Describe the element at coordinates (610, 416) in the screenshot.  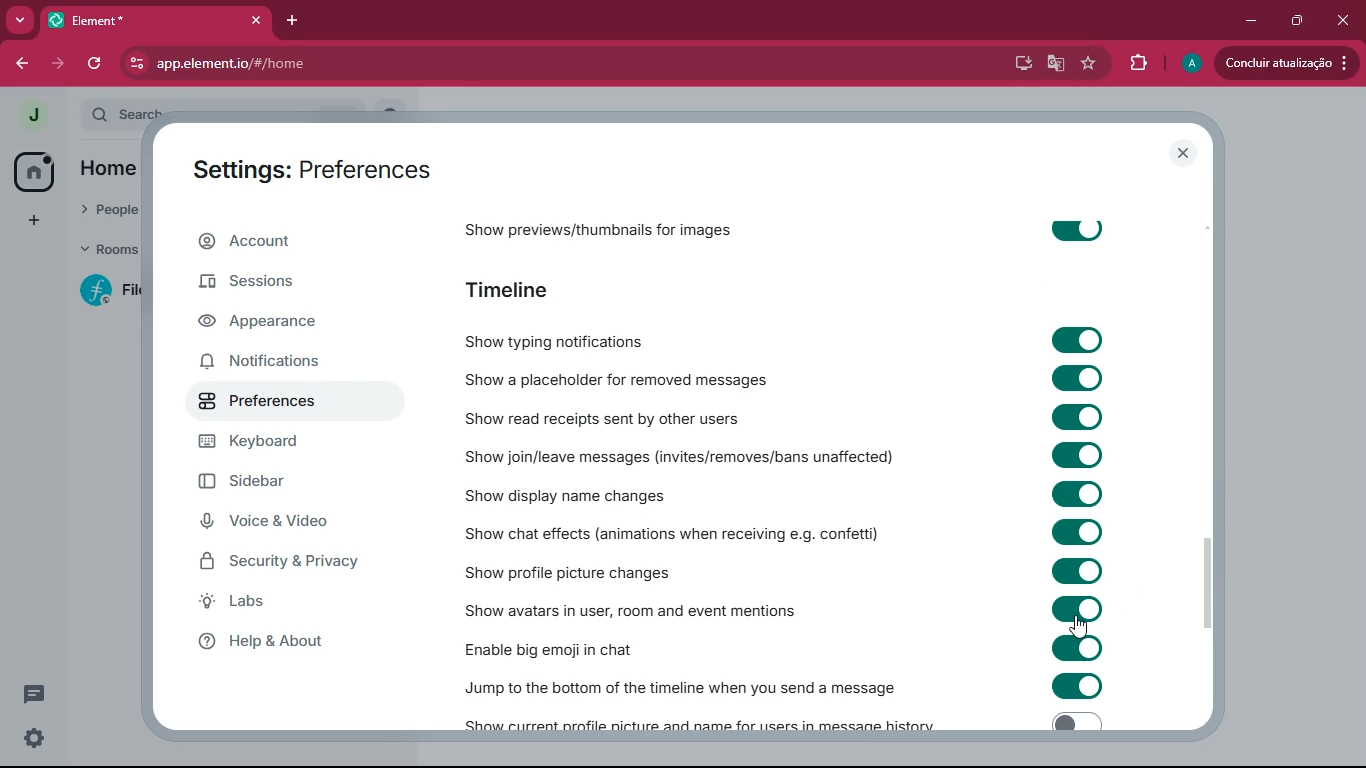
I see `show read receipts sent by other users` at that location.